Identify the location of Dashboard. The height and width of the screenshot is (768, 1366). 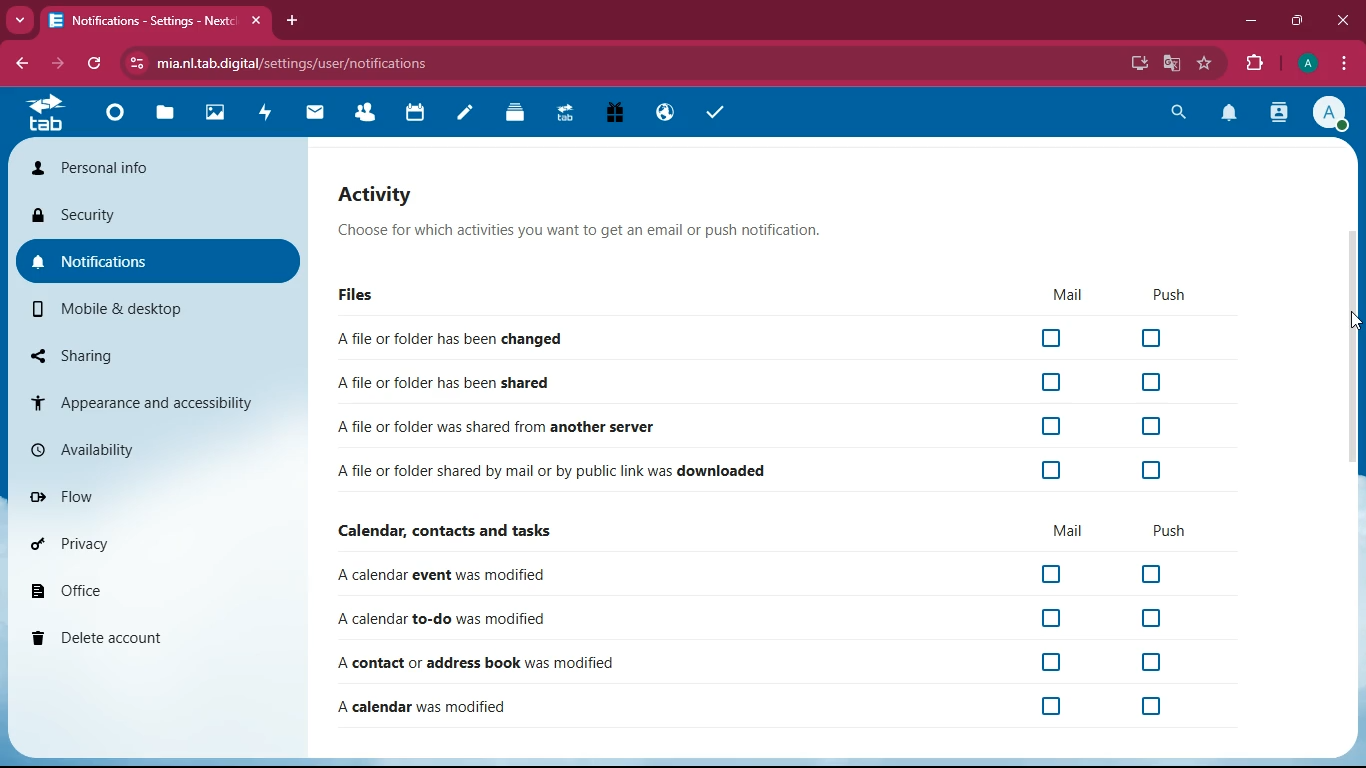
(119, 115).